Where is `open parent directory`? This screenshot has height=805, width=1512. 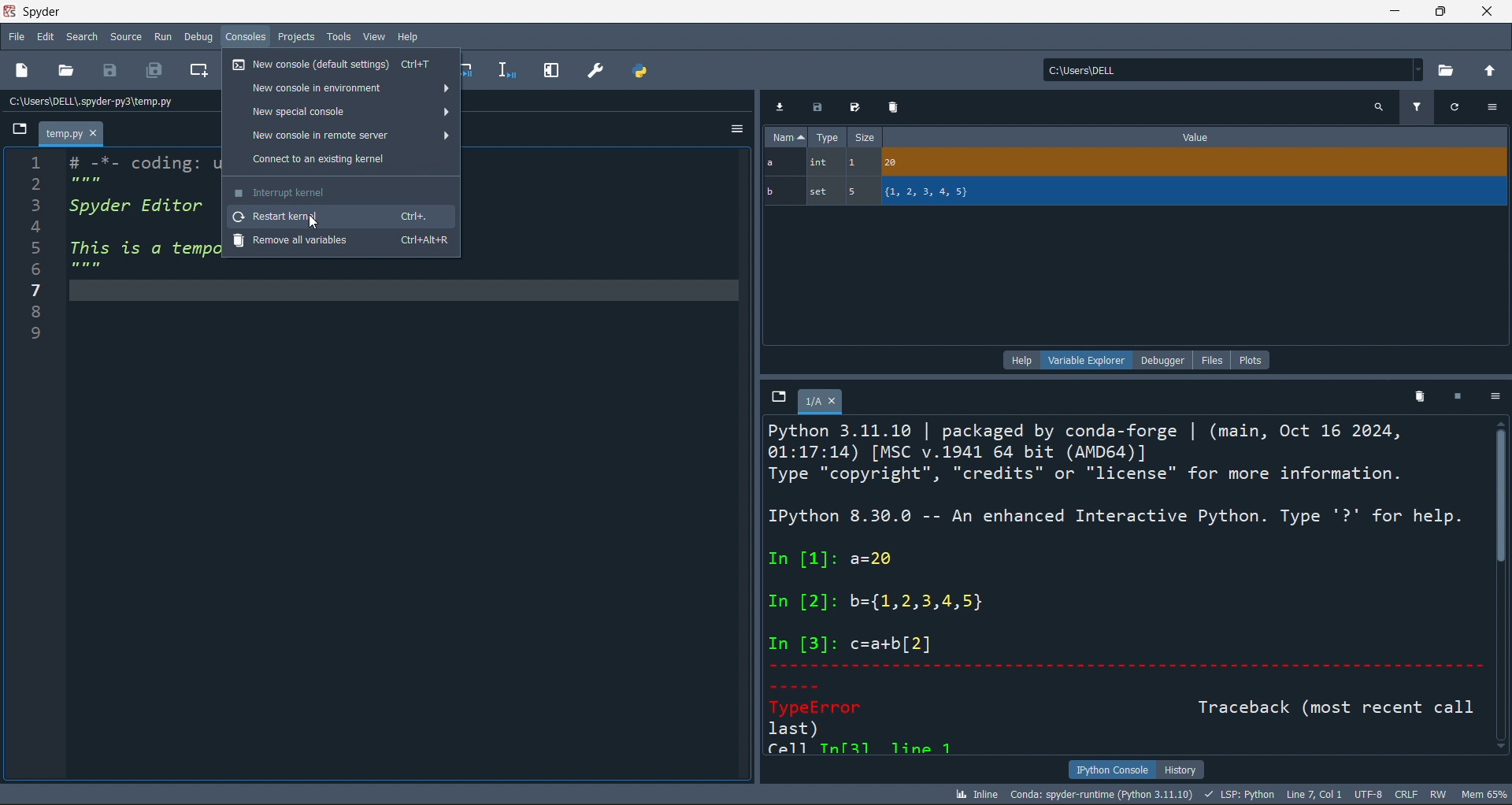
open parent directory is located at coordinates (1492, 72).